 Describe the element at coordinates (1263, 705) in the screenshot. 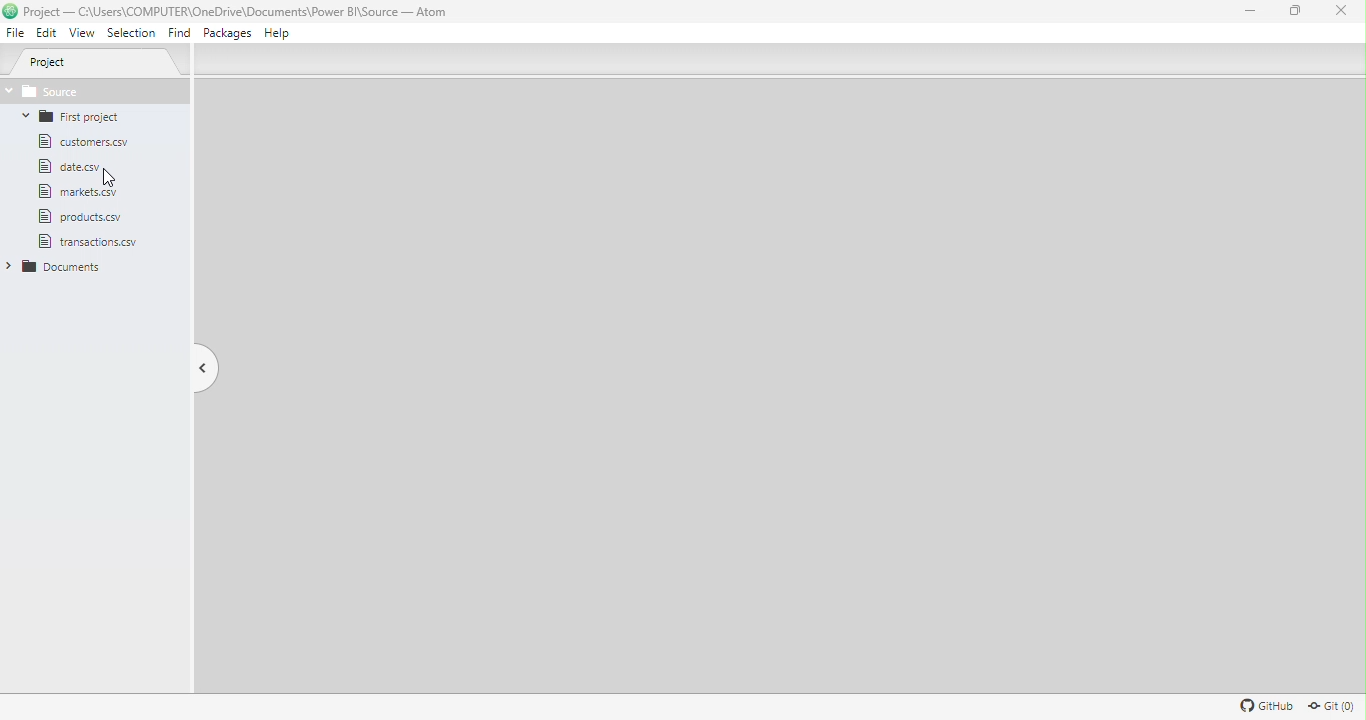

I see `Github` at that location.